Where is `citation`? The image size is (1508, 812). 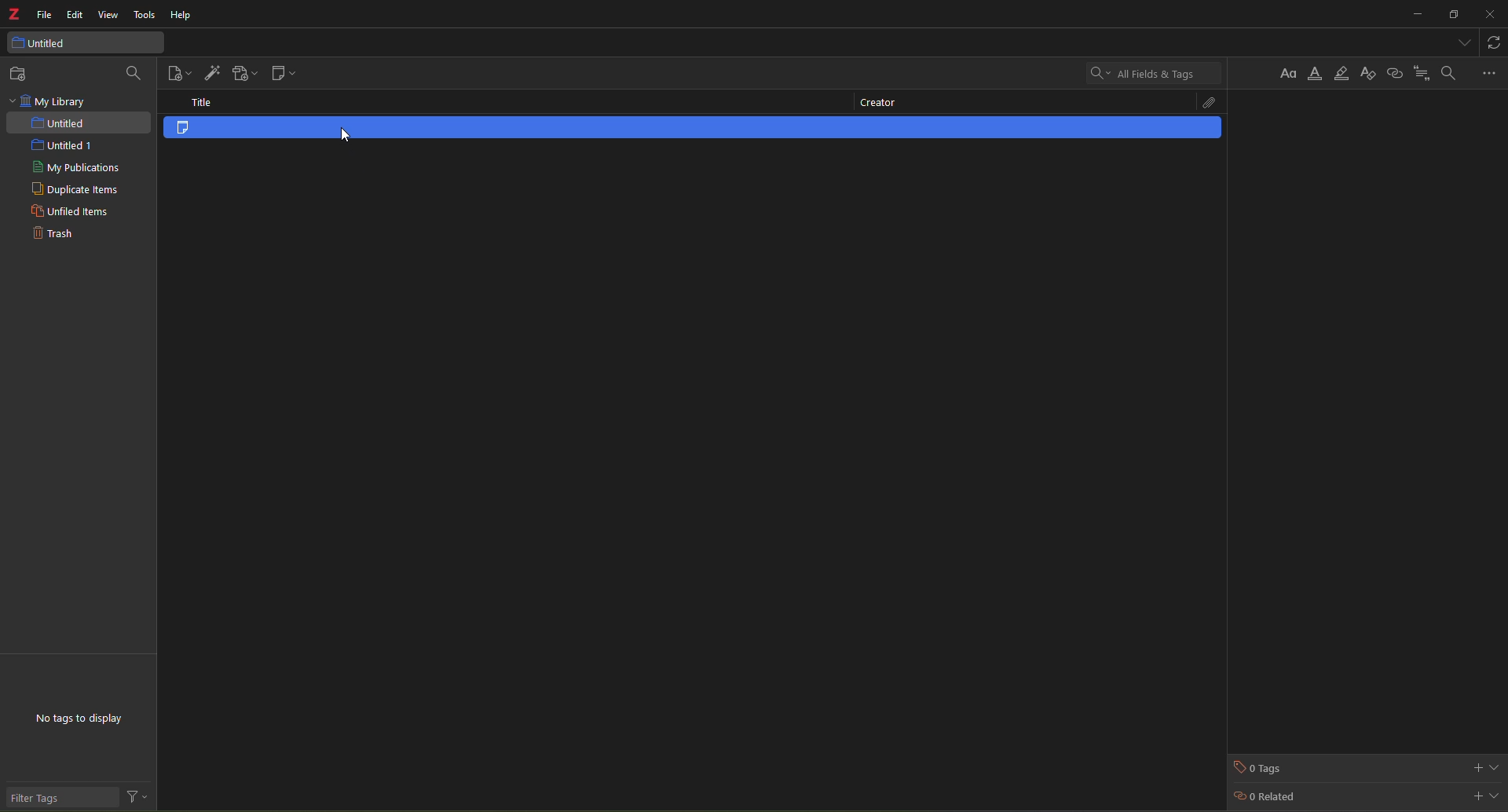
citation is located at coordinates (1422, 72).